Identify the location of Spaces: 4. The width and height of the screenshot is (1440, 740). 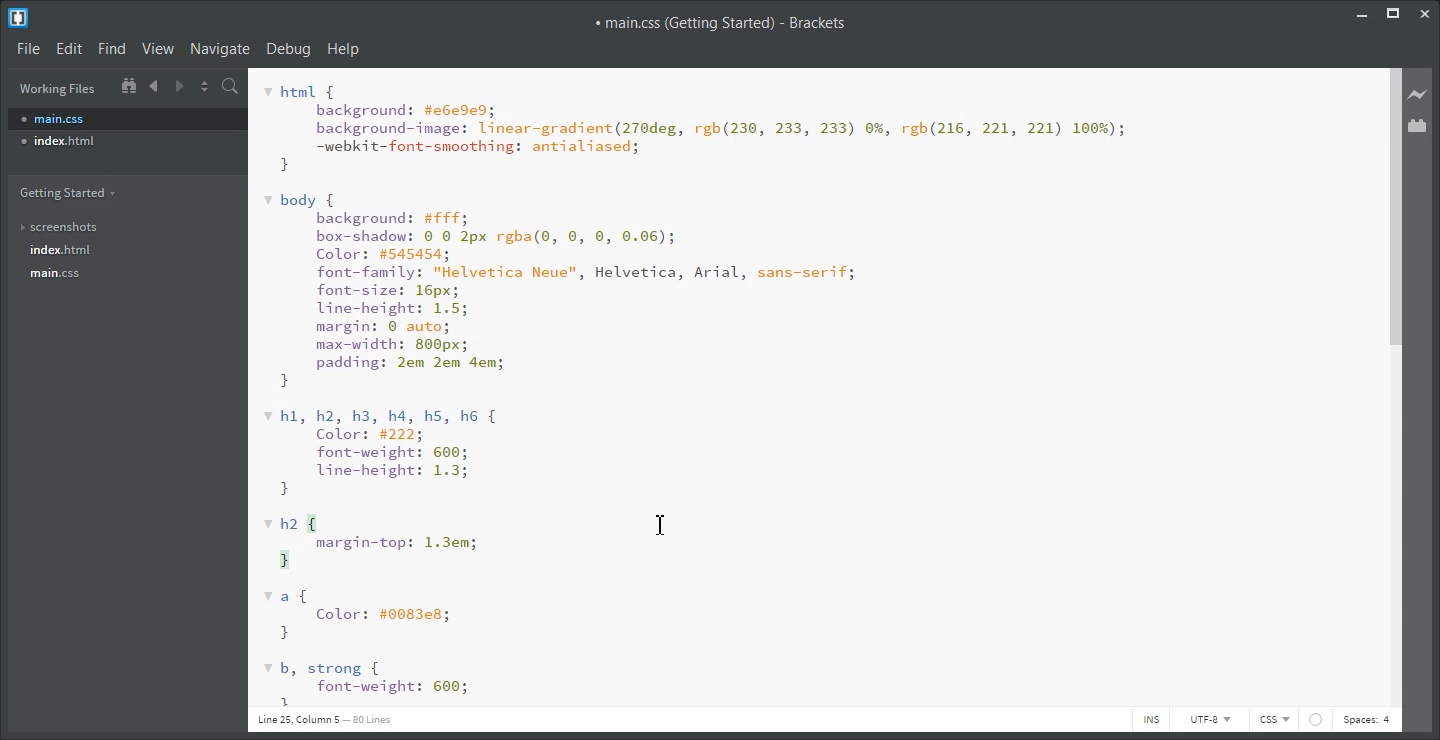
(1367, 721).